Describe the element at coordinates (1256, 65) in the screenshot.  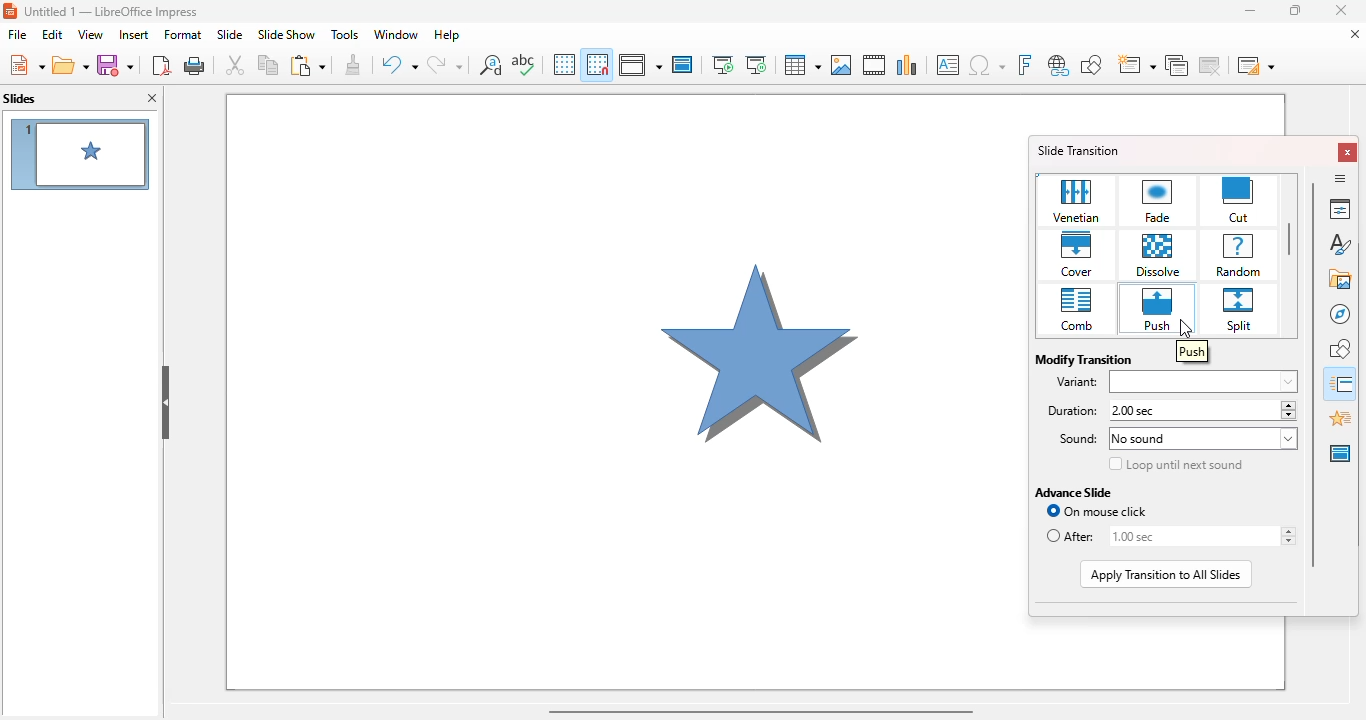
I see `slide layout` at that location.